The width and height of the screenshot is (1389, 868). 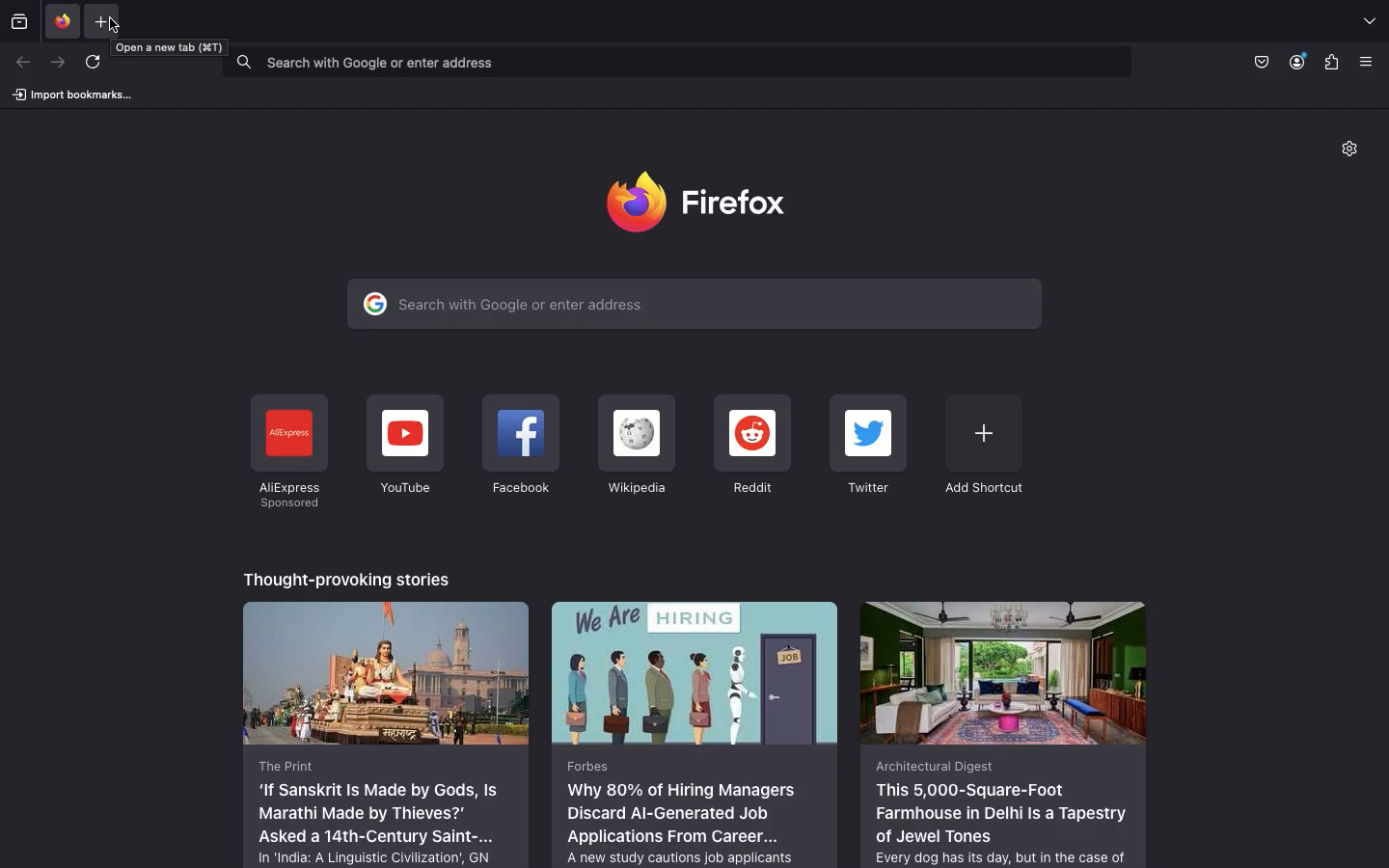 I want to click on Architectural Digest

This 5,000-Square-Foot
Farmhouse in Delhi Is a Tapestry
of Jewel Tones

Every dog has its day, but in the case of, so click(x=1002, y=733).